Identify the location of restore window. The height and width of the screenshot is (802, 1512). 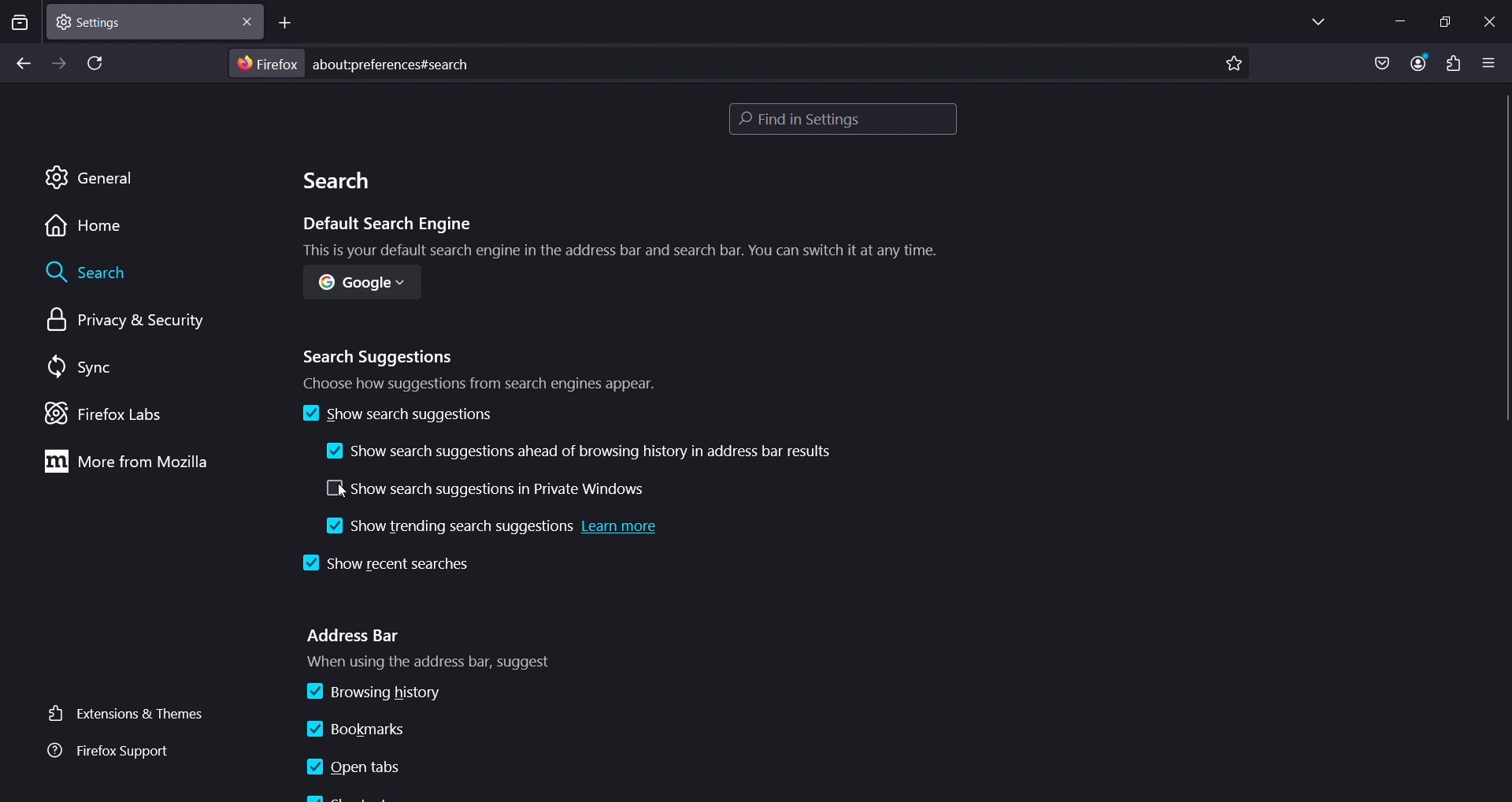
(1444, 21).